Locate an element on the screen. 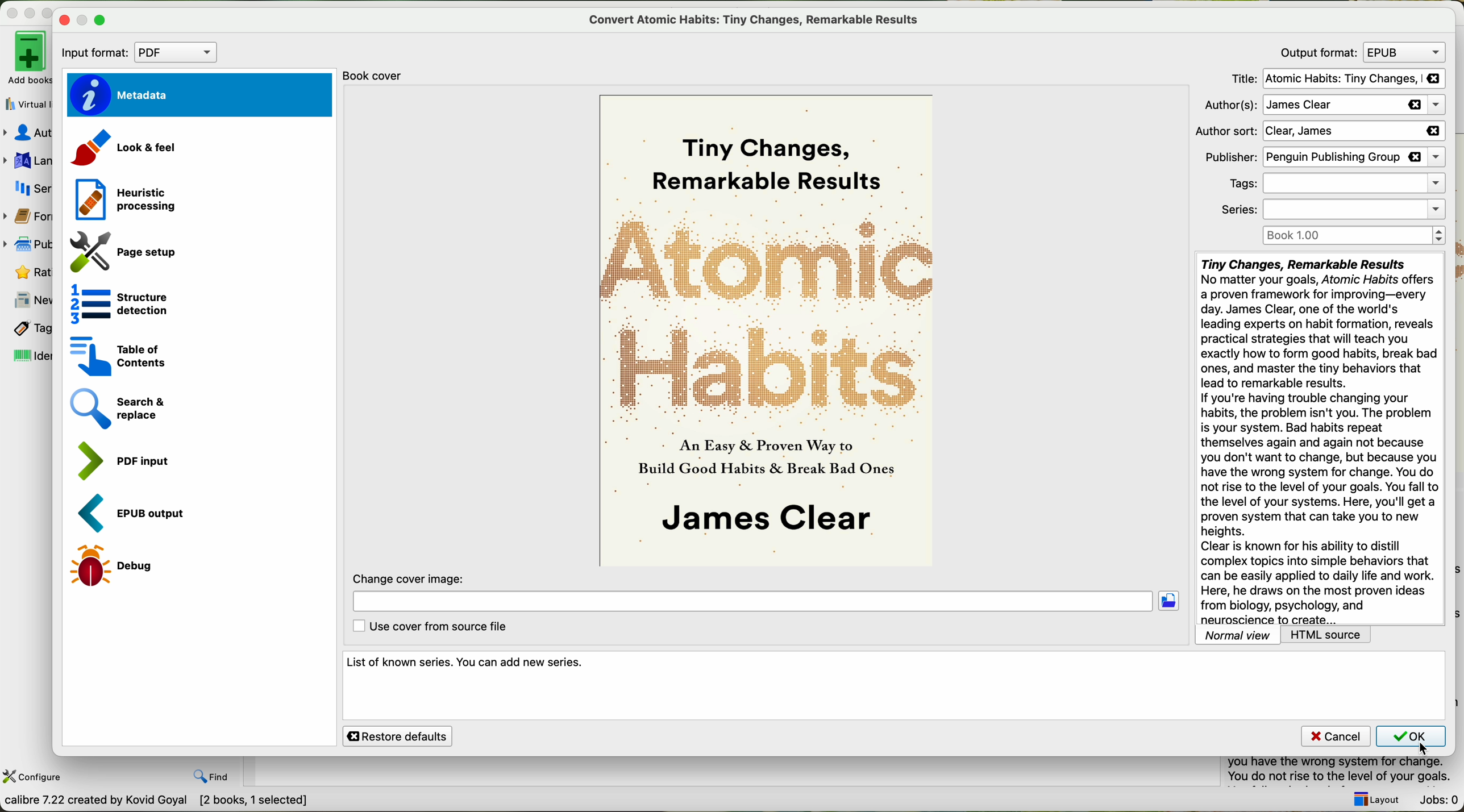 This screenshot has height=812, width=1464. author(s) is located at coordinates (1326, 106).